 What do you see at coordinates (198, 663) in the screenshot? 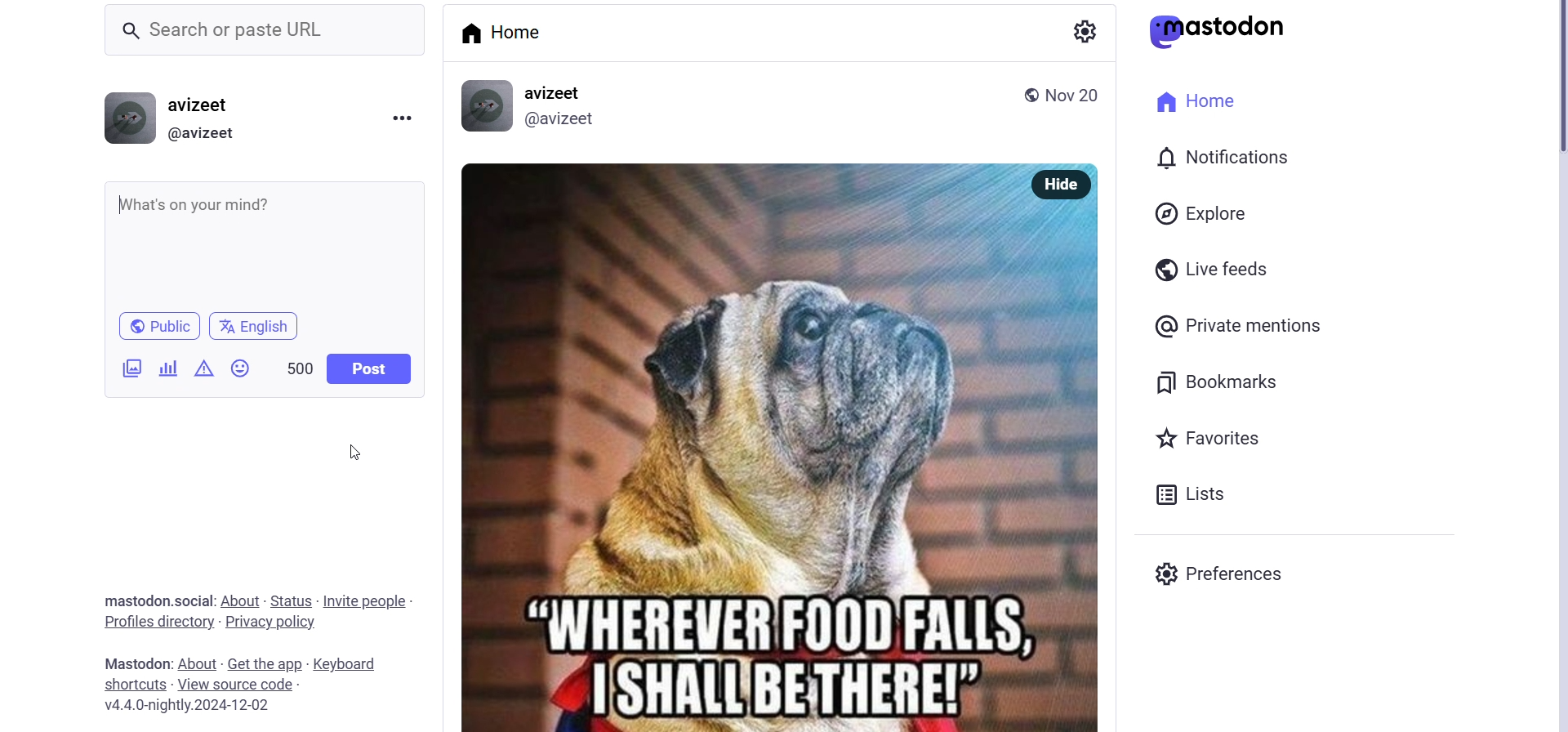
I see `about` at bounding box center [198, 663].